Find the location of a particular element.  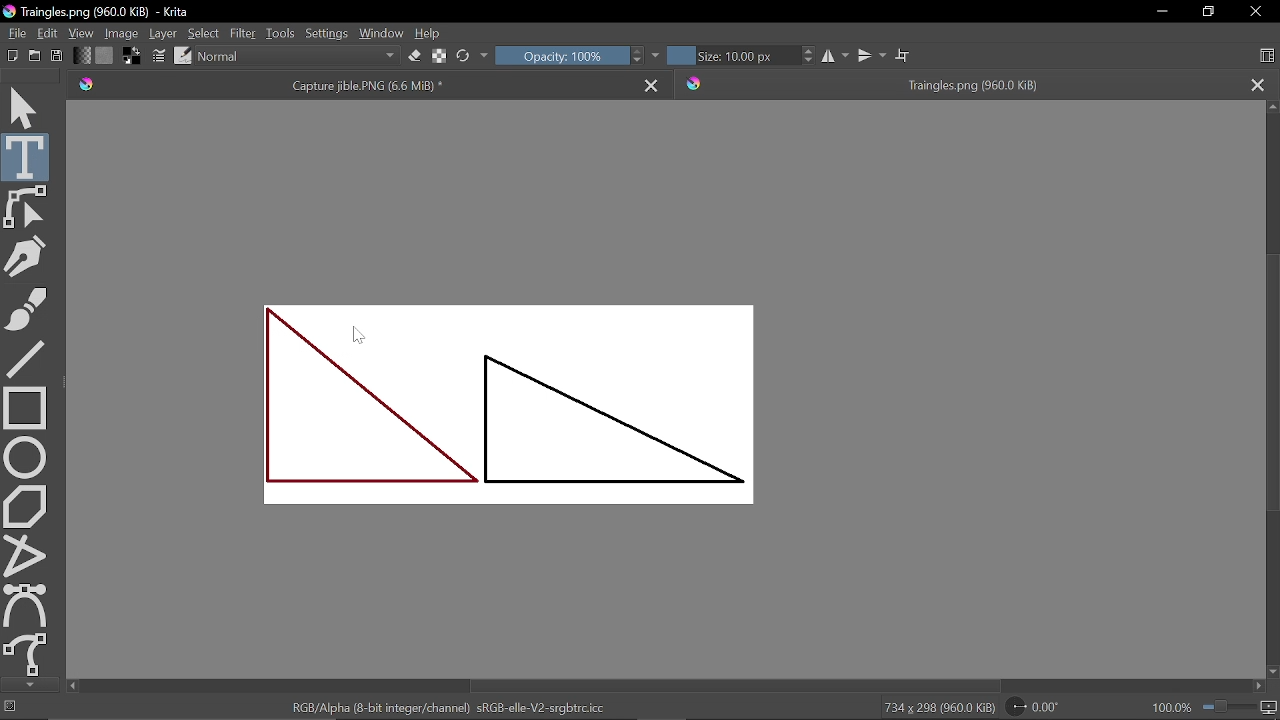

Edit brush settings is located at coordinates (438, 55).